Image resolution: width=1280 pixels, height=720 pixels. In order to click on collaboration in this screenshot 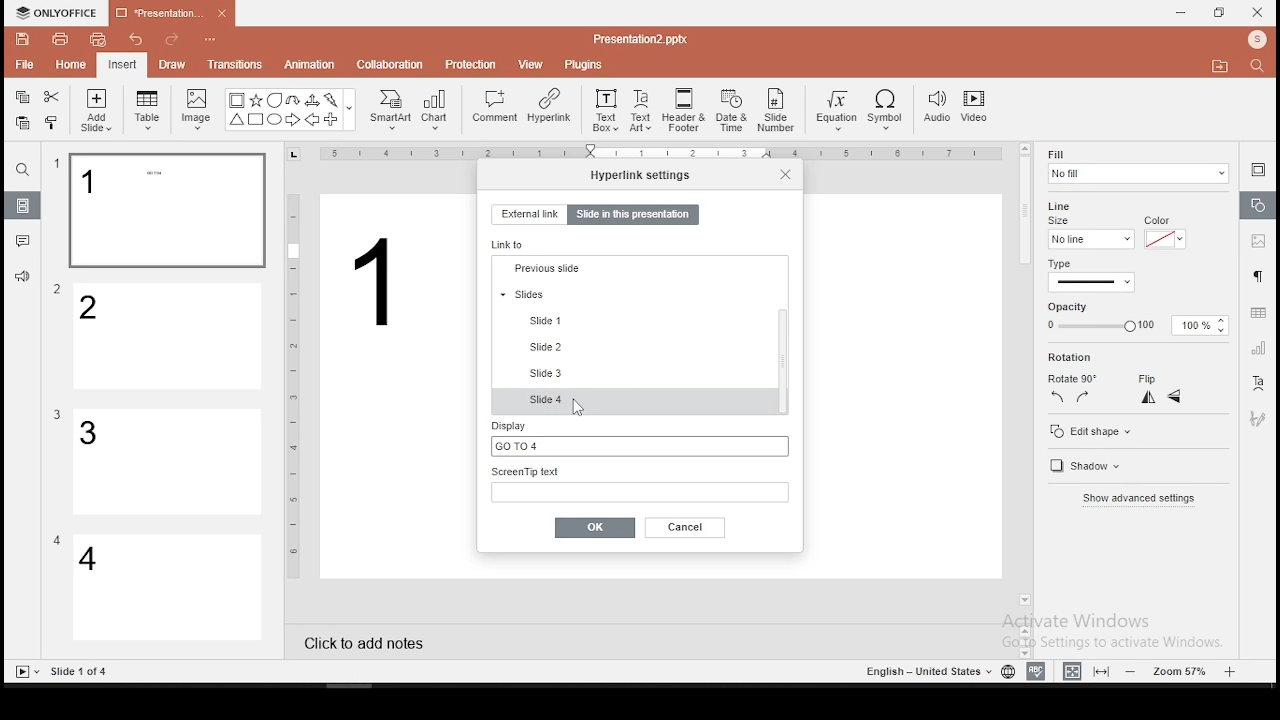, I will do `click(392, 63)`.